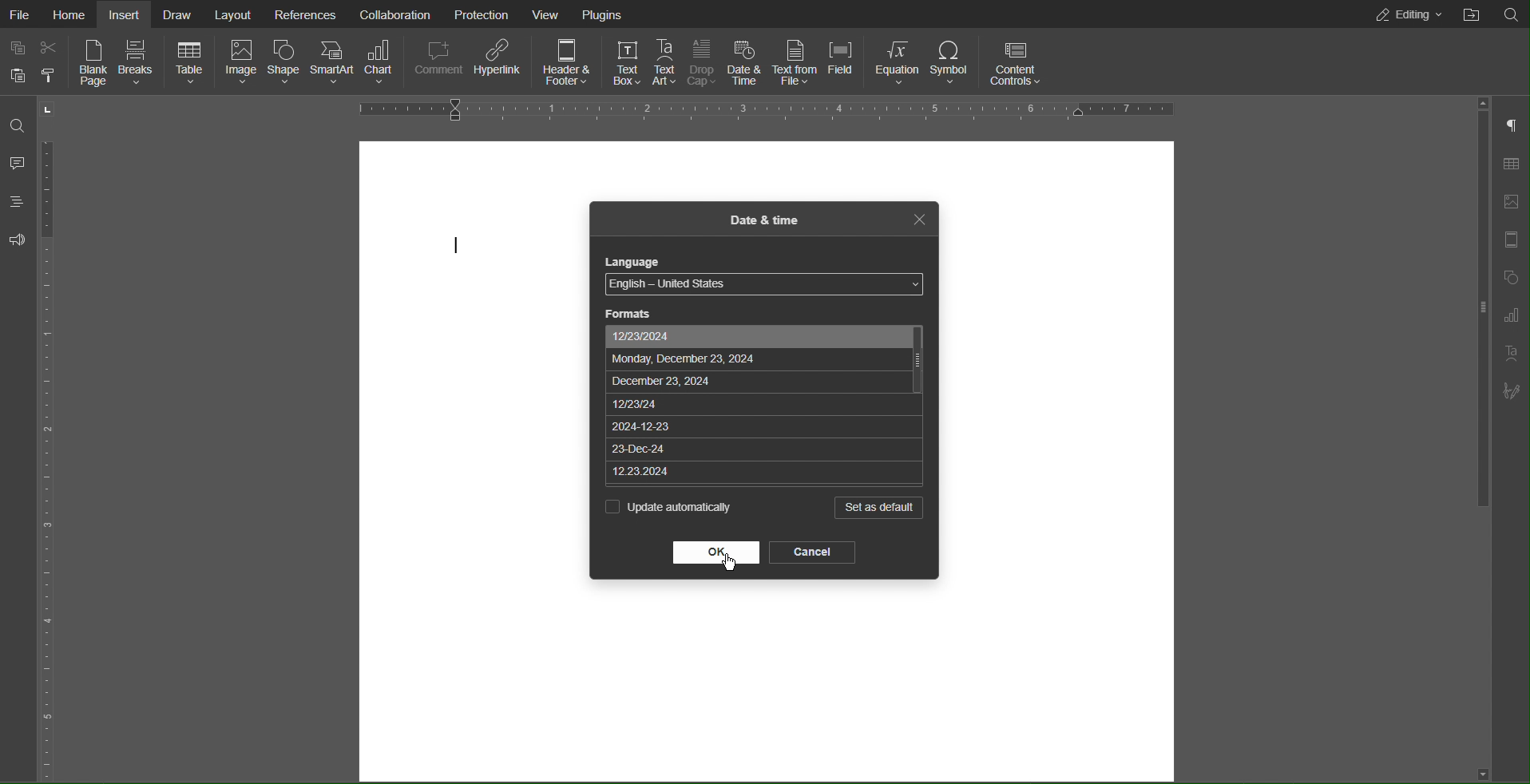 This screenshot has width=1530, height=784. What do you see at coordinates (764, 221) in the screenshot?
I see `Date & Time` at bounding box center [764, 221].